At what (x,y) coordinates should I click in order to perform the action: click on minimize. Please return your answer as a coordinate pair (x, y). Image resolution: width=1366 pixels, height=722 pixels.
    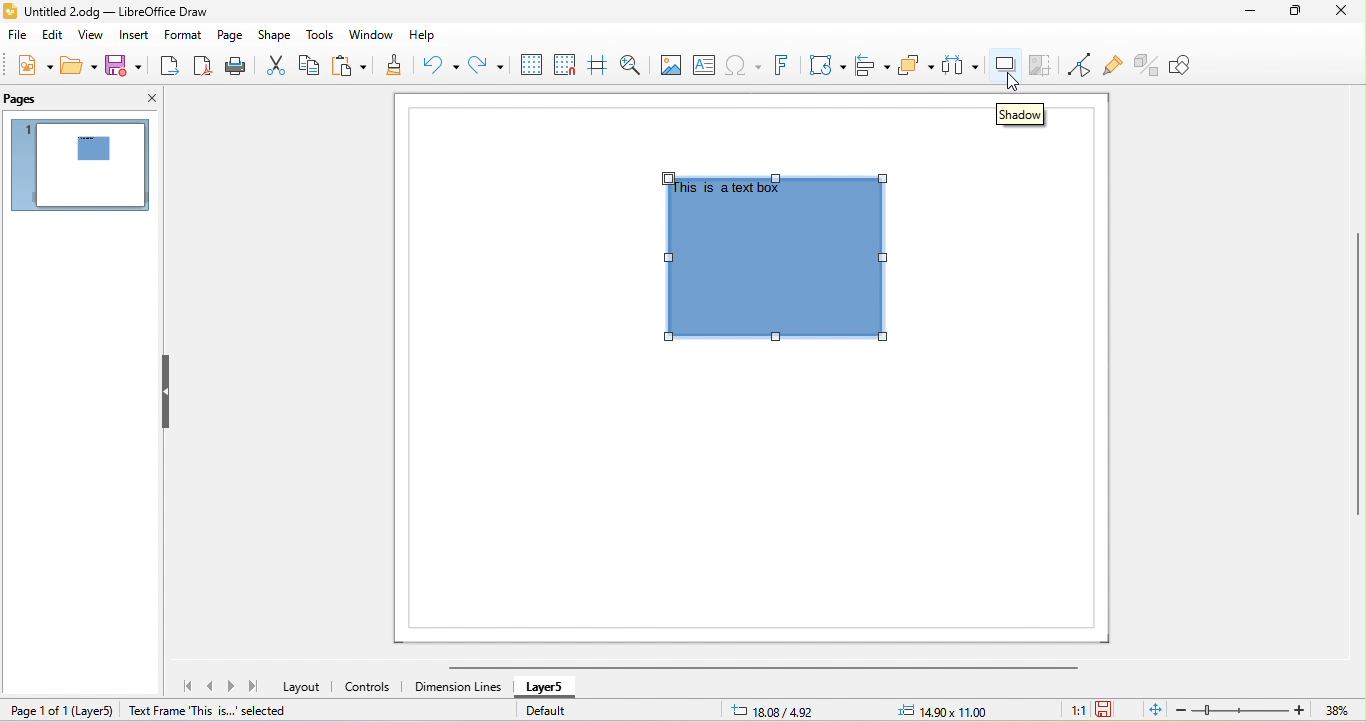
    Looking at the image, I should click on (1257, 12).